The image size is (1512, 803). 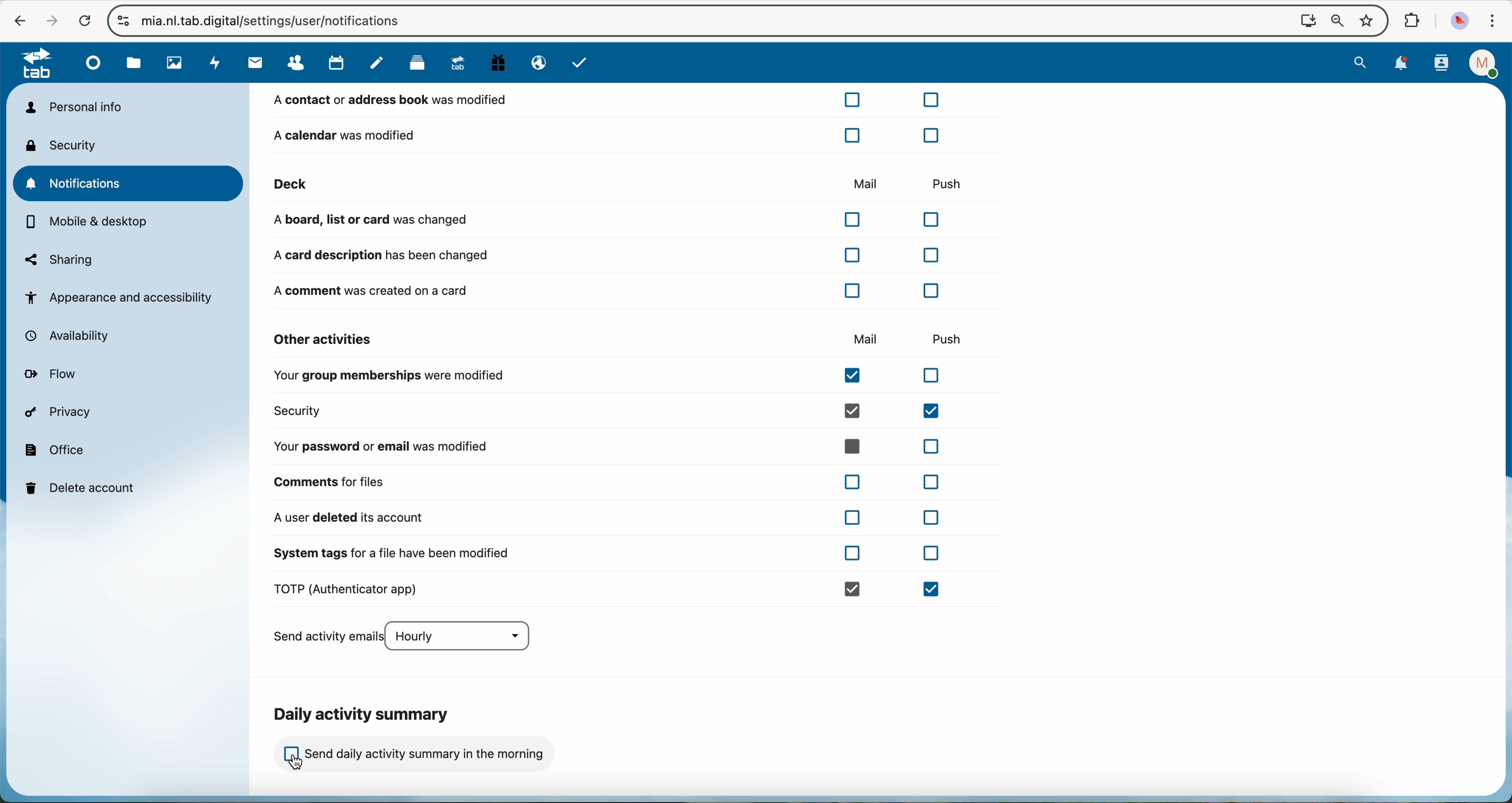 I want to click on navigate back, so click(x=17, y=20).